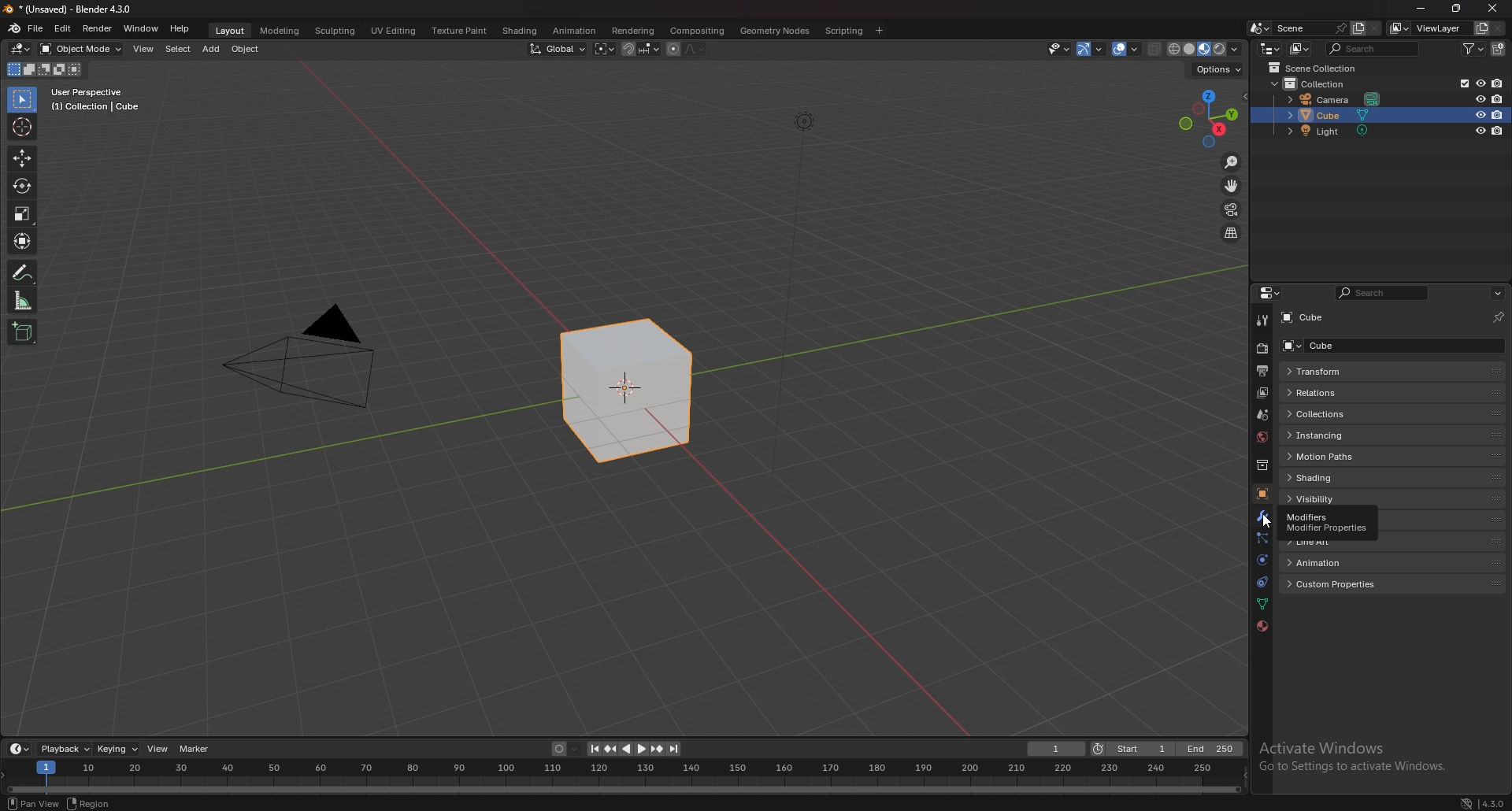 The height and width of the screenshot is (811, 1512). Describe the element at coordinates (1462, 83) in the screenshot. I see `exclude from view layer` at that location.